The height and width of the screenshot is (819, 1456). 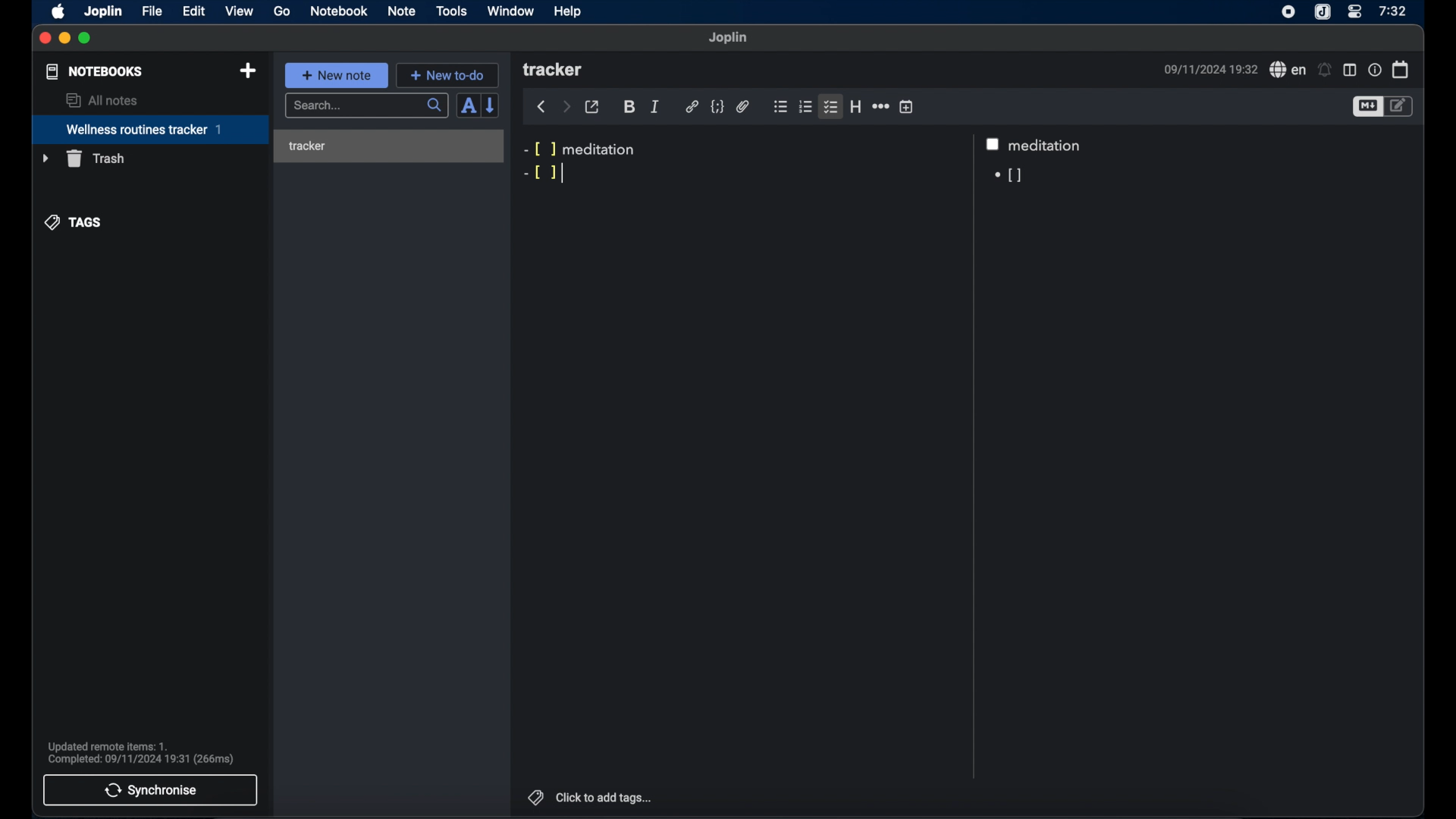 What do you see at coordinates (1367, 106) in the screenshot?
I see `toggle editor` at bounding box center [1367, 106].